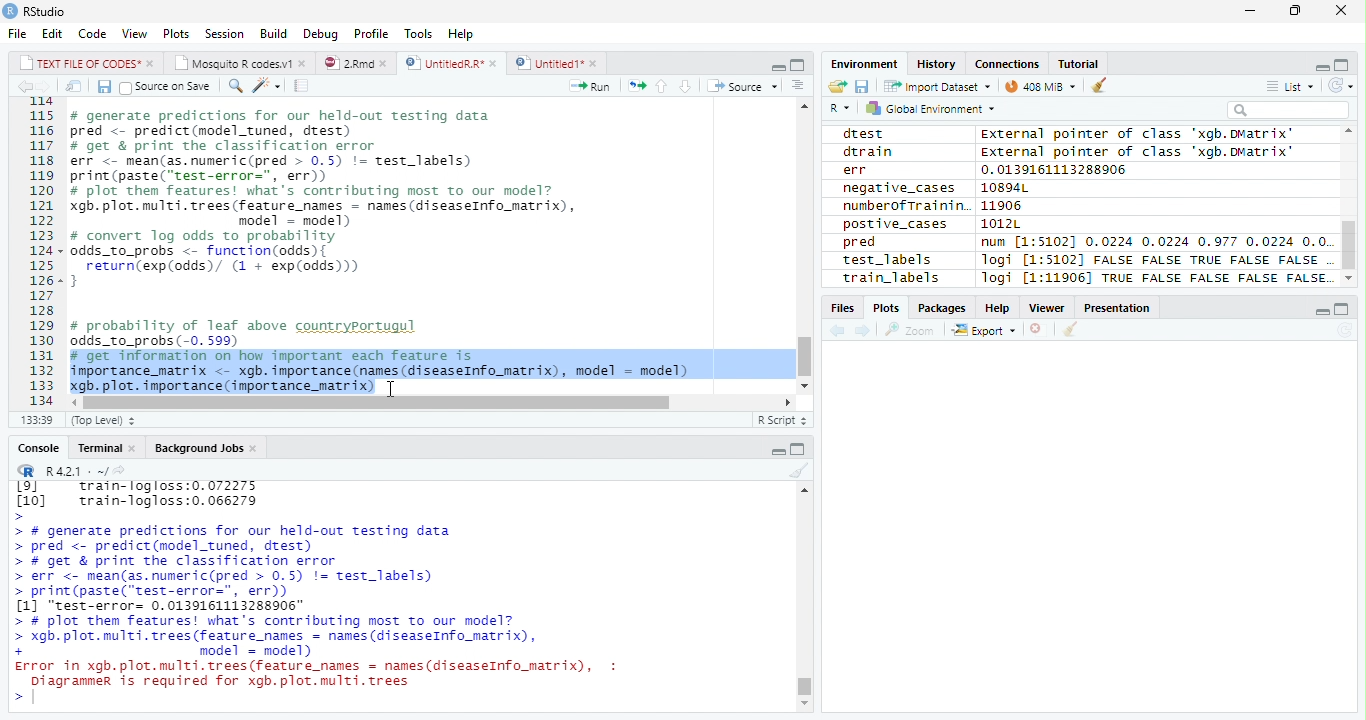  Describe the element at coordinates (1340, 84) in the screenshot. I see `Refresh` at that location.